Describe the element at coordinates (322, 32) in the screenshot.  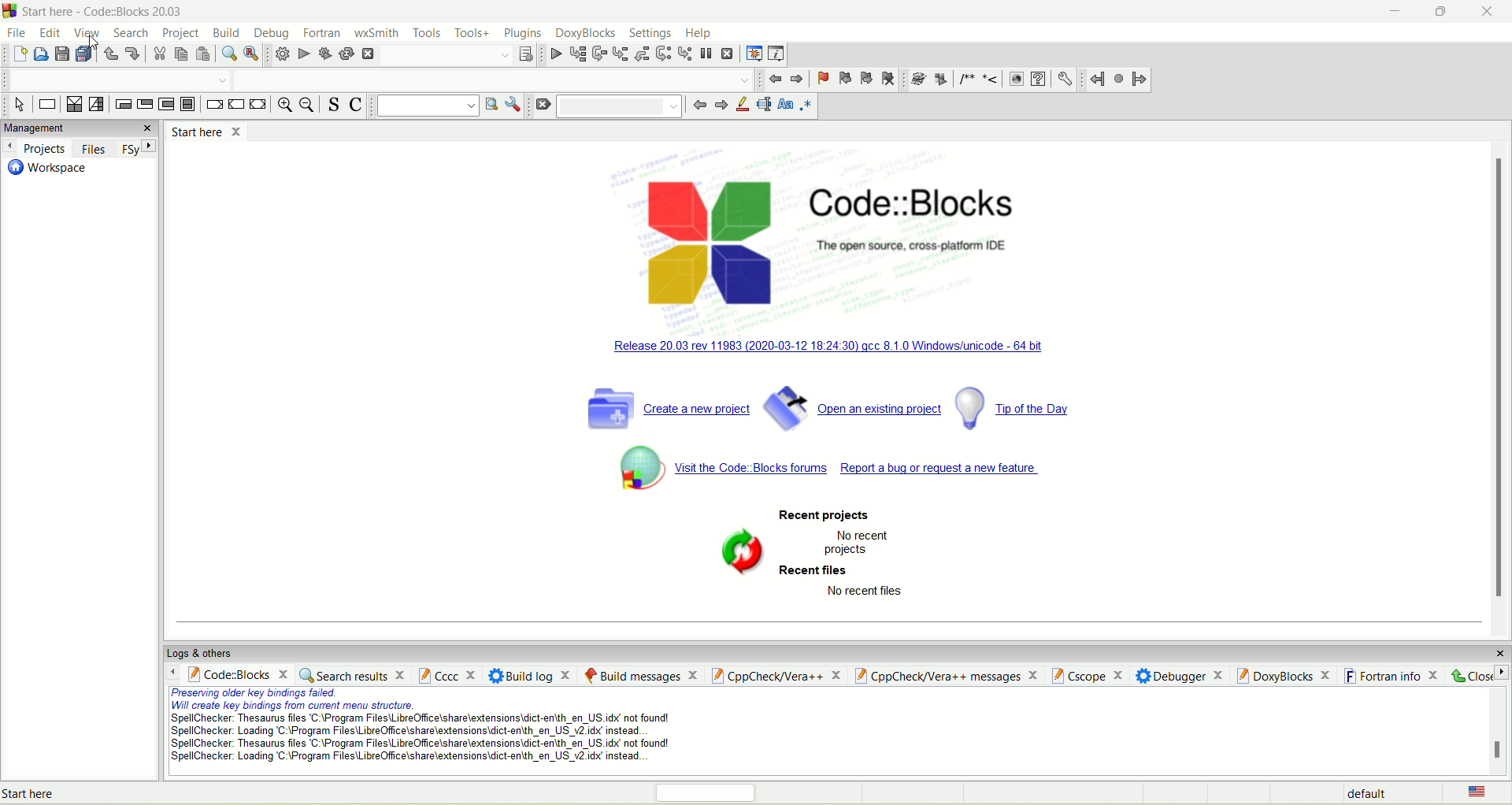
I see `Fortan` at that location.